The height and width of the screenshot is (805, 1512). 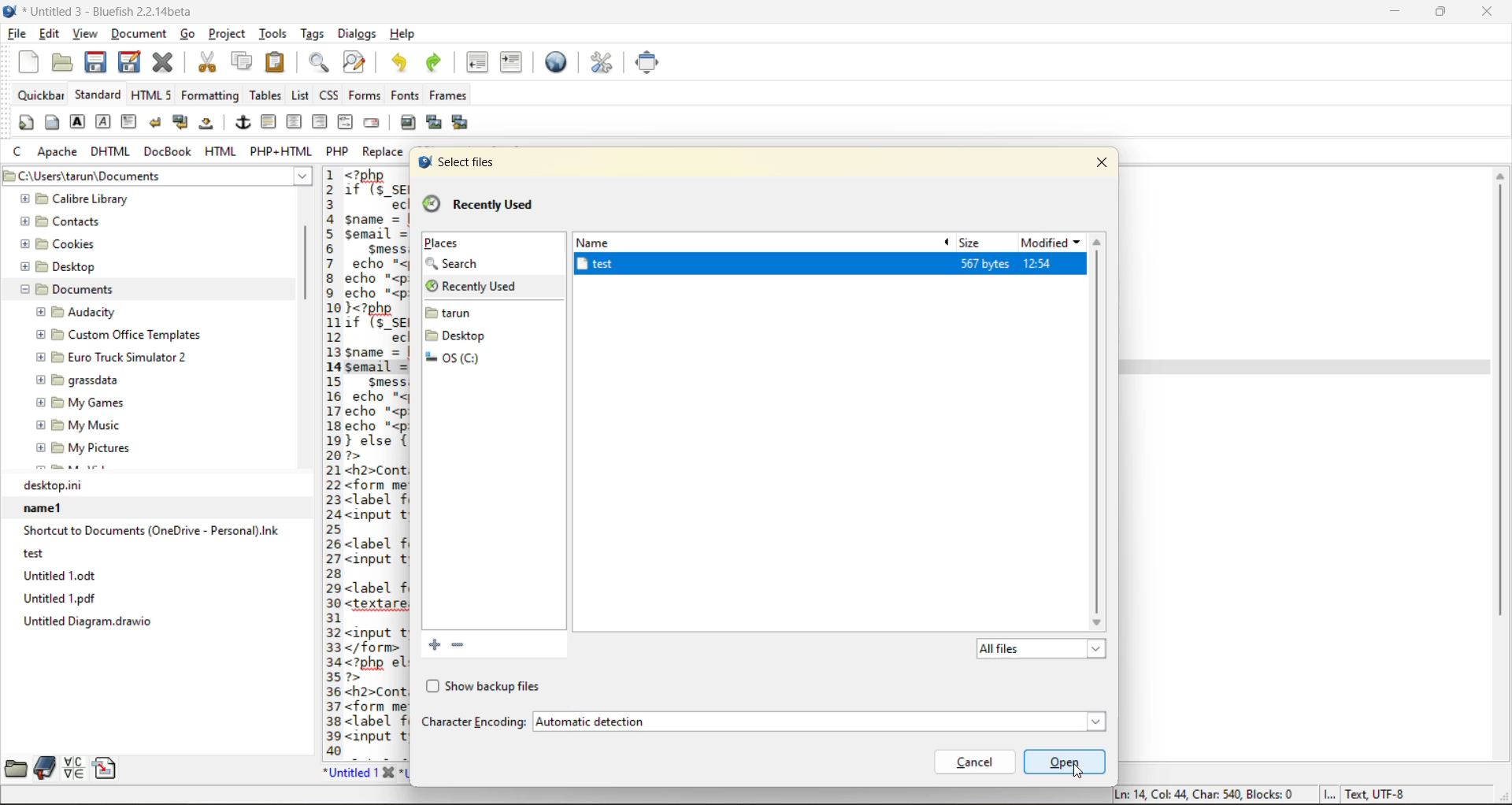 I want to click on edit, so click(x=50, y=35).